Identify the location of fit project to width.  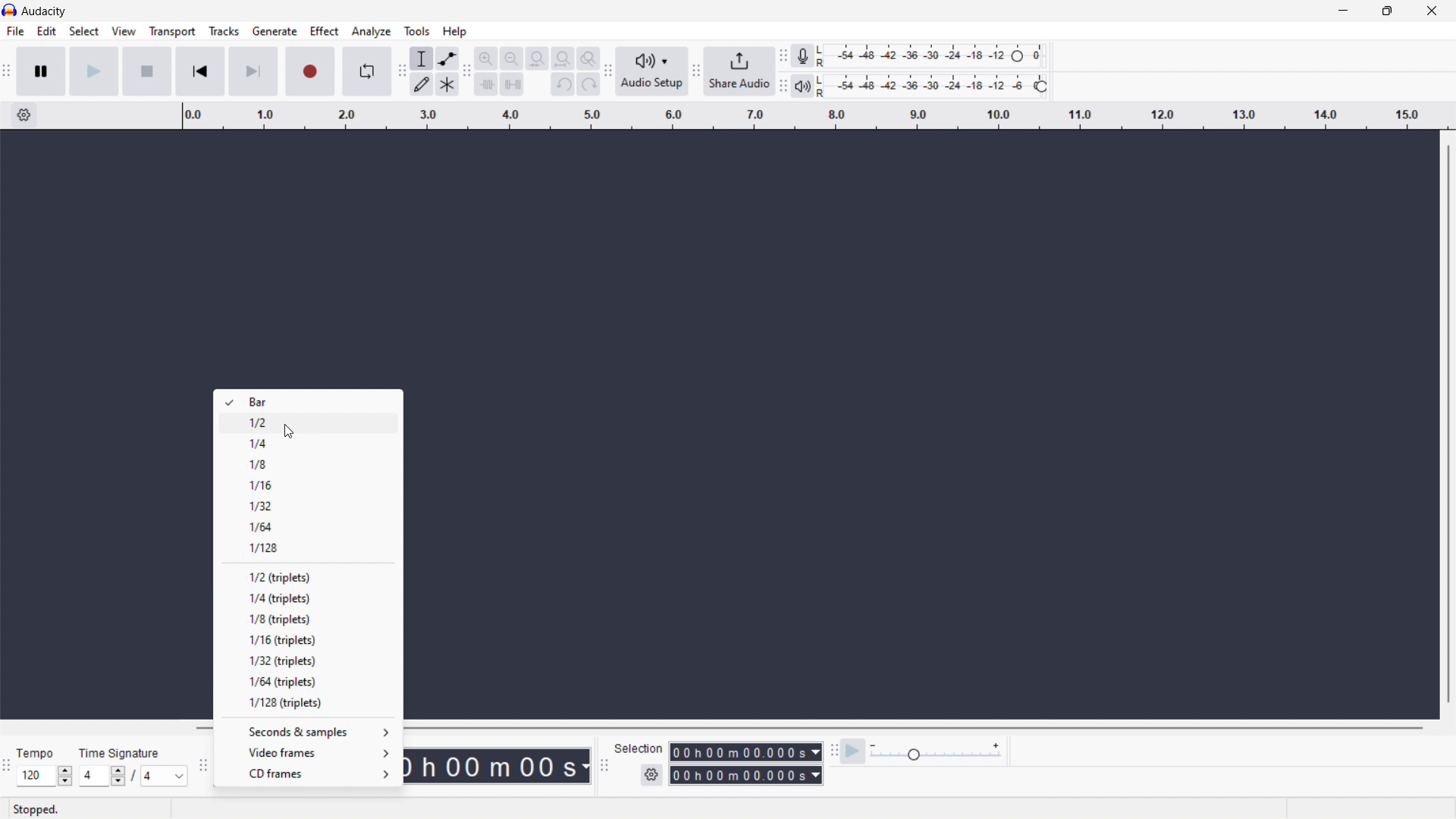
(563, 58).